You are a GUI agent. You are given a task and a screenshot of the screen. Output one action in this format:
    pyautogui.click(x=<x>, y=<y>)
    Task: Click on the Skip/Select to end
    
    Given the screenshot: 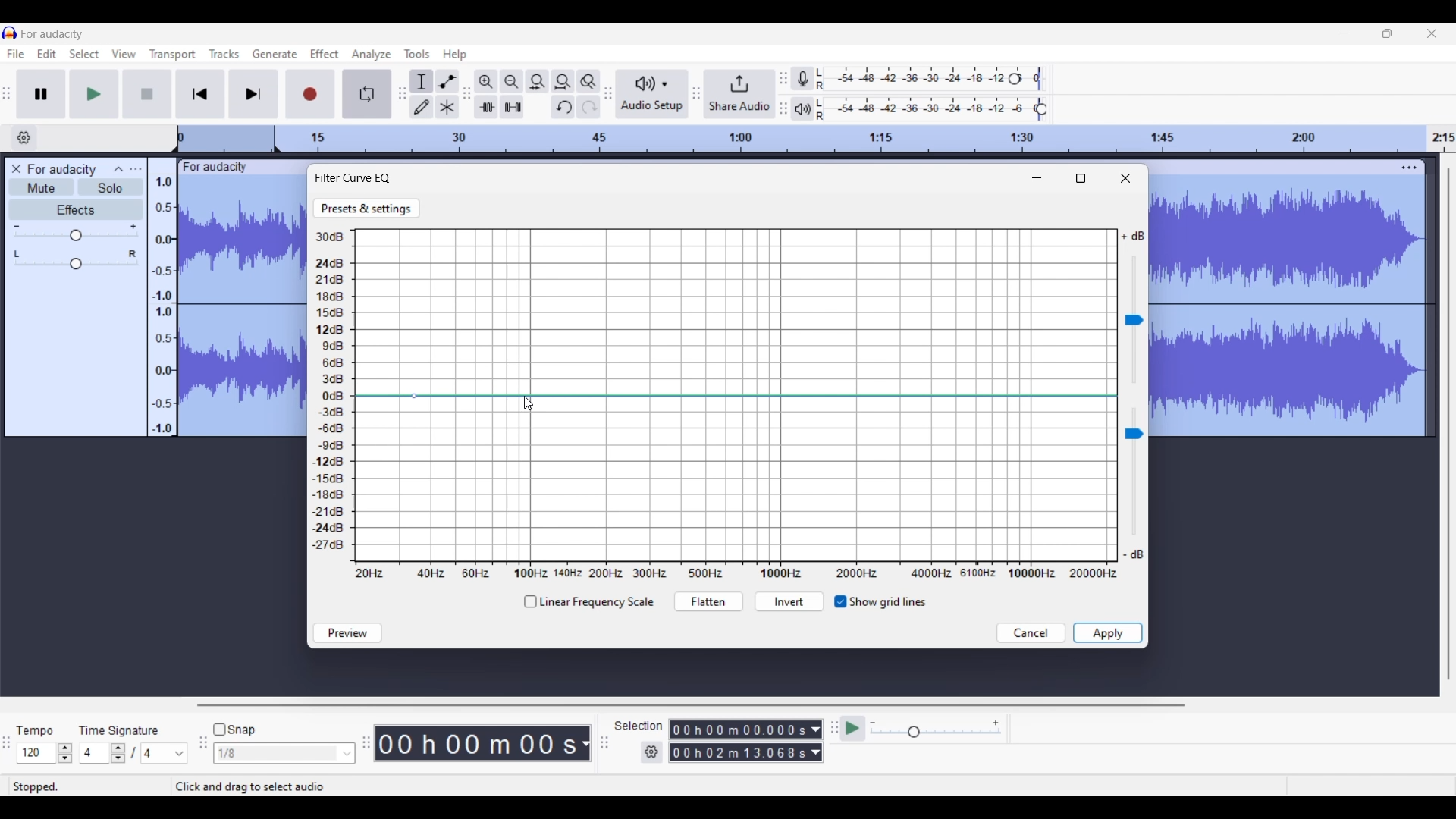 What is the action you would take?
    pyautogui.click(x=254, y=94)
    